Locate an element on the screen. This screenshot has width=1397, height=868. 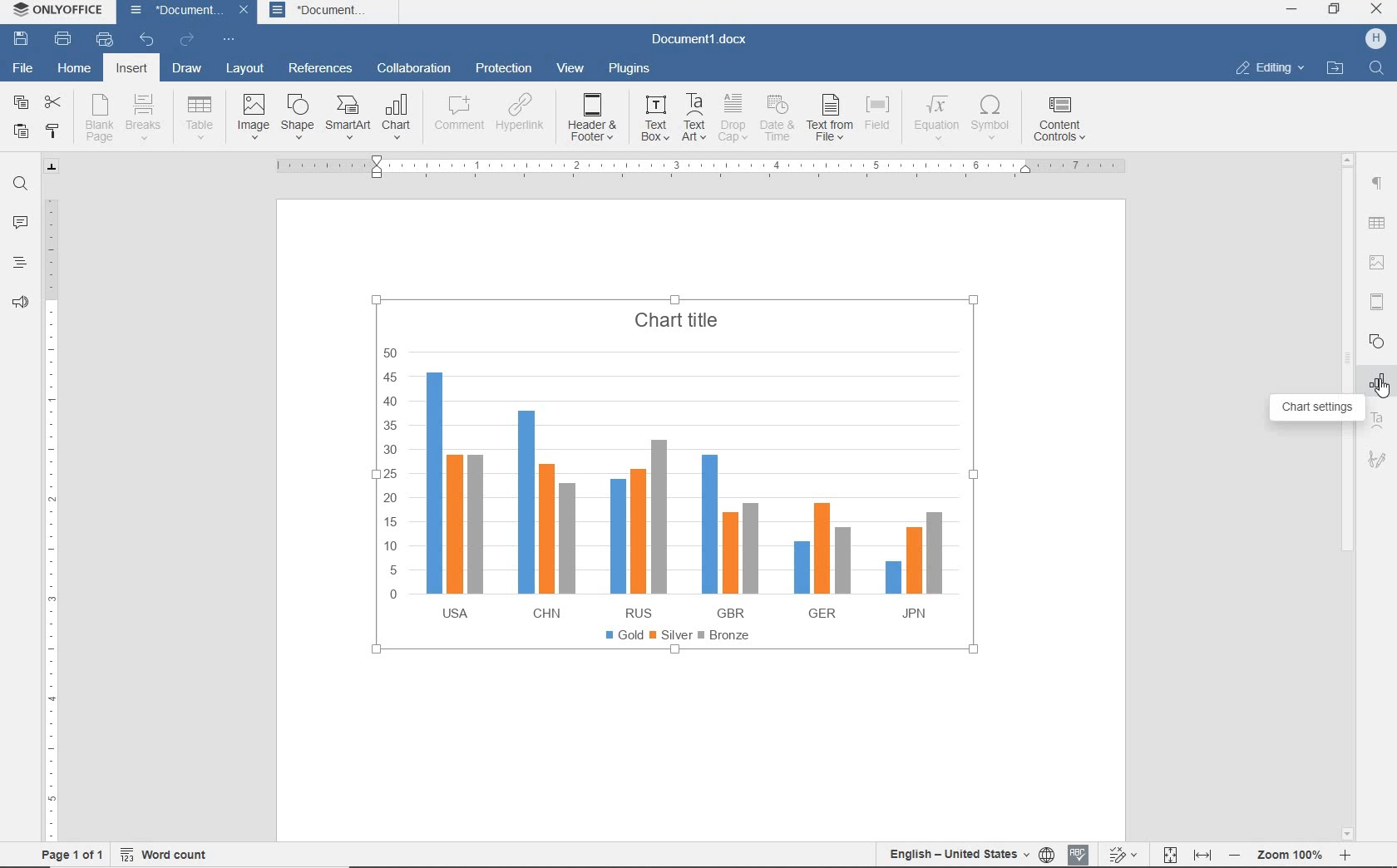
drop cap is located at coordinates (733, 121).